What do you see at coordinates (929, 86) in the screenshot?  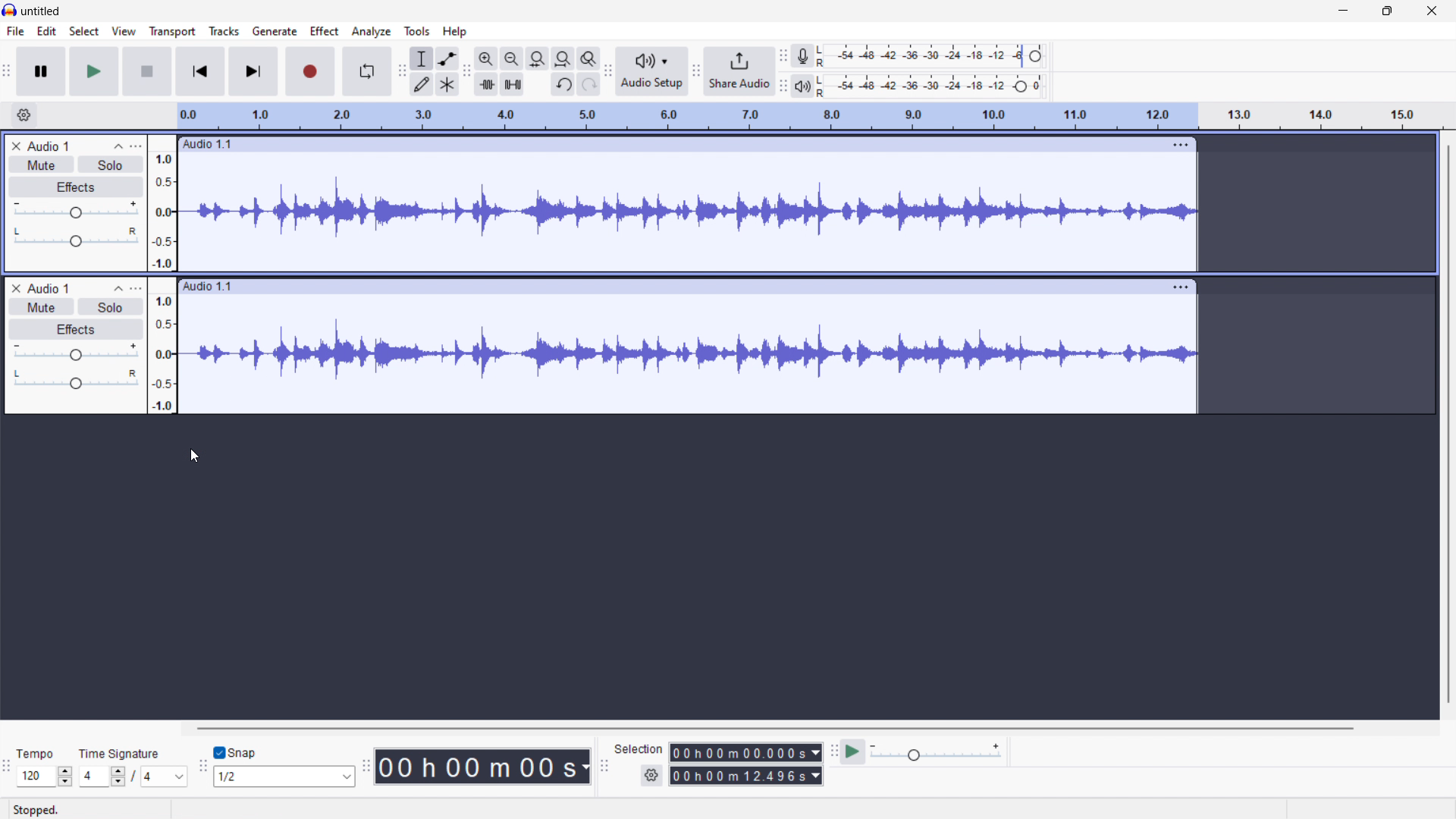 I see `playback level` at bounding box center [929, 86].